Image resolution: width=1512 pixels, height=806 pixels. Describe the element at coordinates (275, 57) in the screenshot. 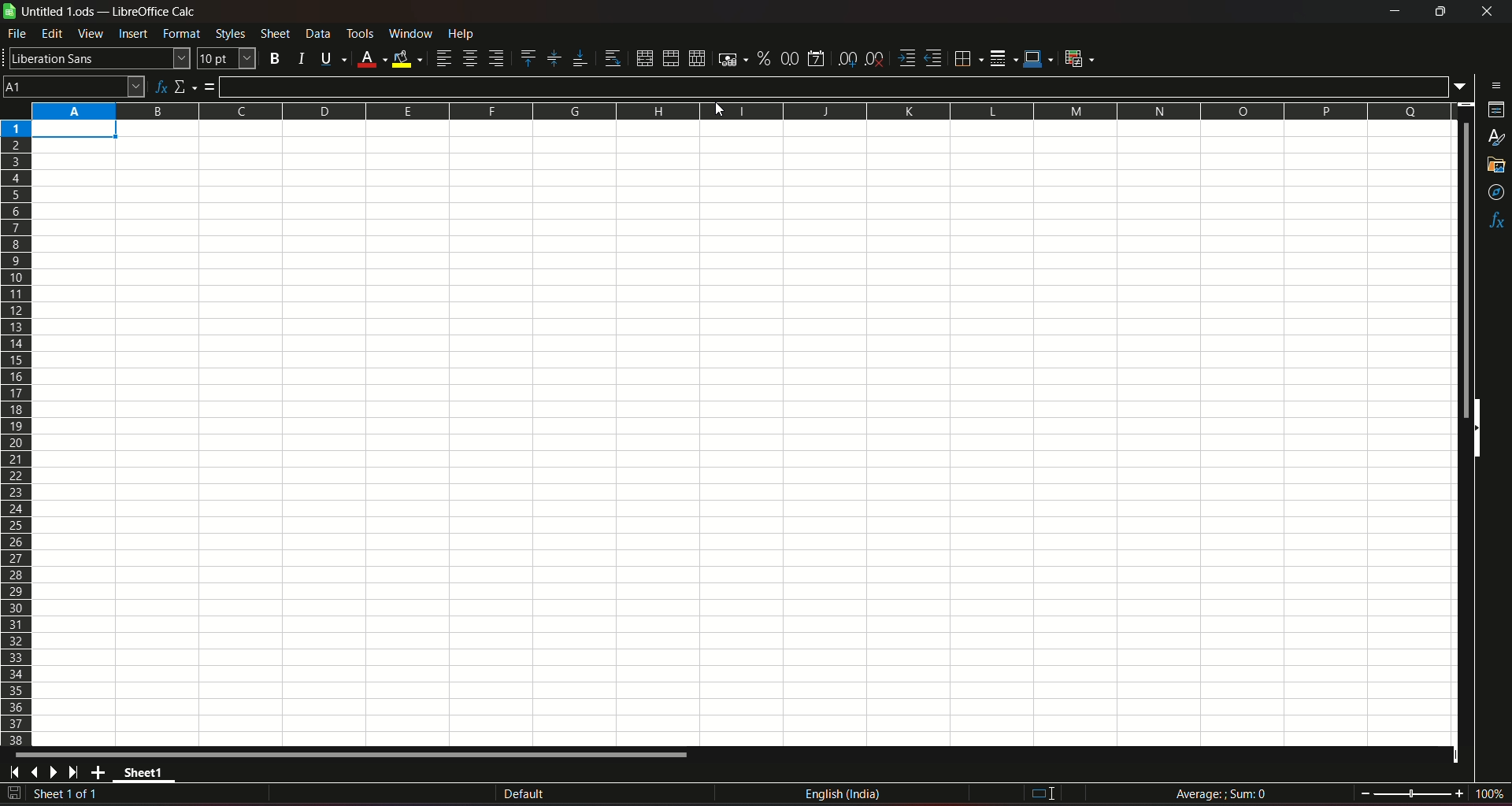

I see `bold` at that location.